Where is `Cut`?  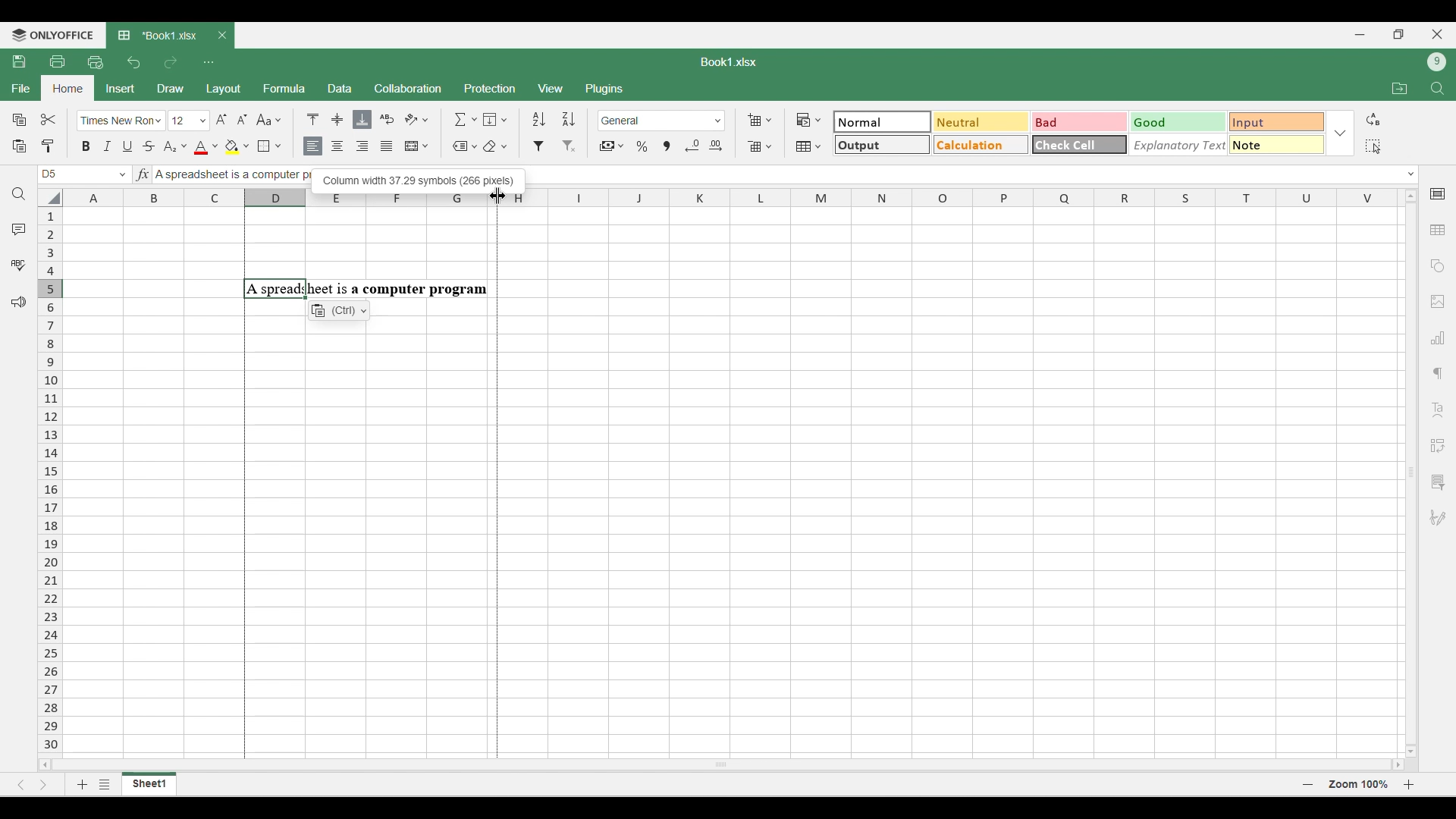 Cut is located at coordinates (49, 119).